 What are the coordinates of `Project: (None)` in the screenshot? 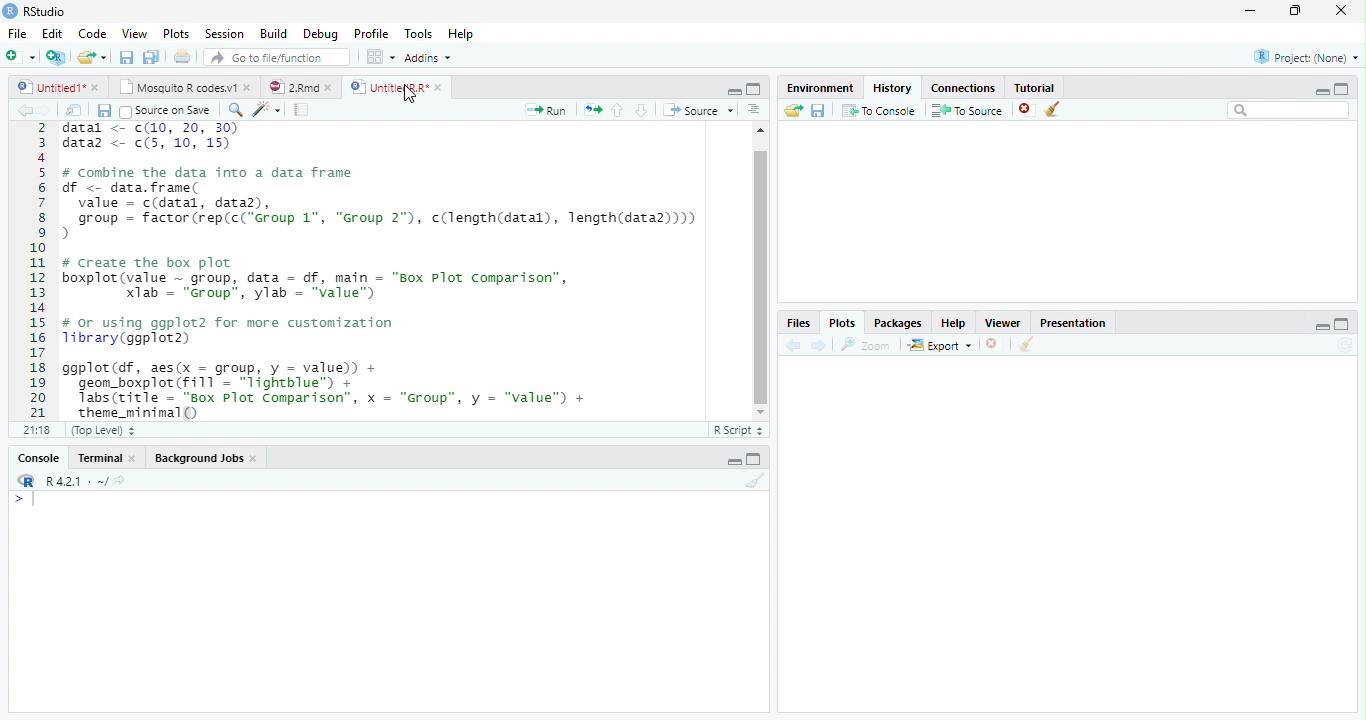 It's located at (1307, 57).